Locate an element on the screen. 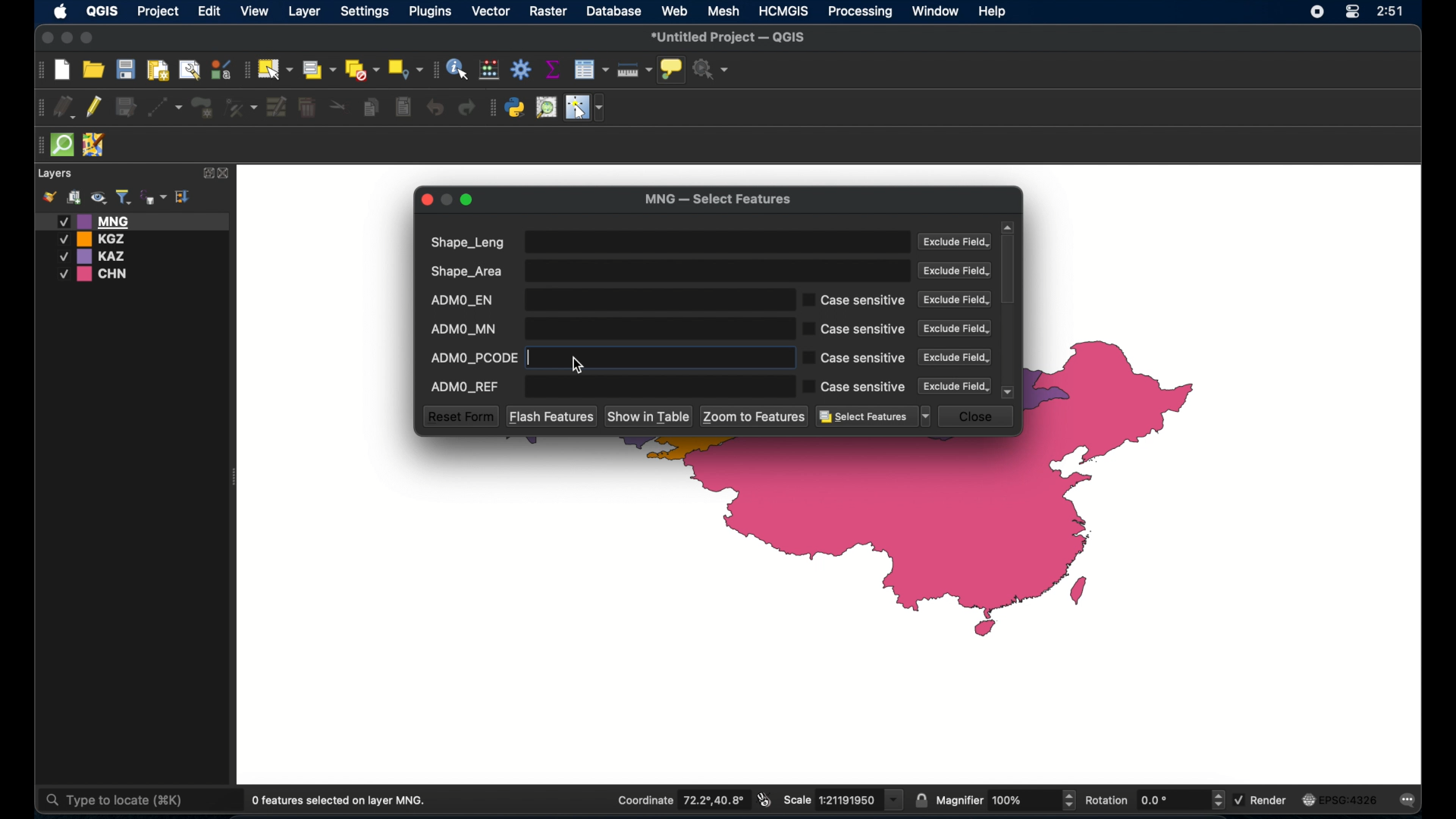 This screenshot has width=1456, height=819. open attribute table is located at coordinates (593, 70).